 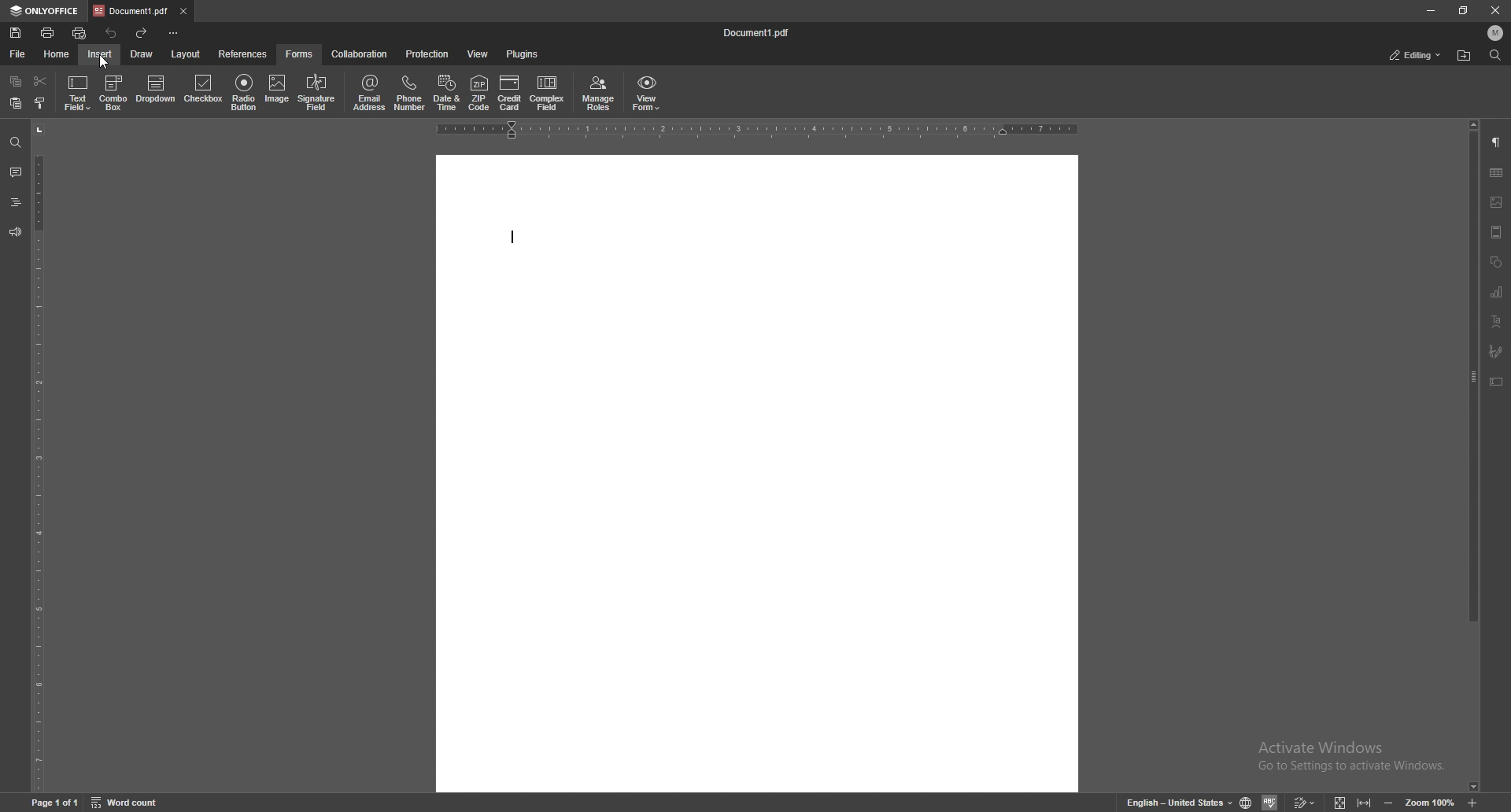 What do you see at coordinates (1341, 801) in the screenshot?
I see `fit to screen` at bounding box center [1341, 801].